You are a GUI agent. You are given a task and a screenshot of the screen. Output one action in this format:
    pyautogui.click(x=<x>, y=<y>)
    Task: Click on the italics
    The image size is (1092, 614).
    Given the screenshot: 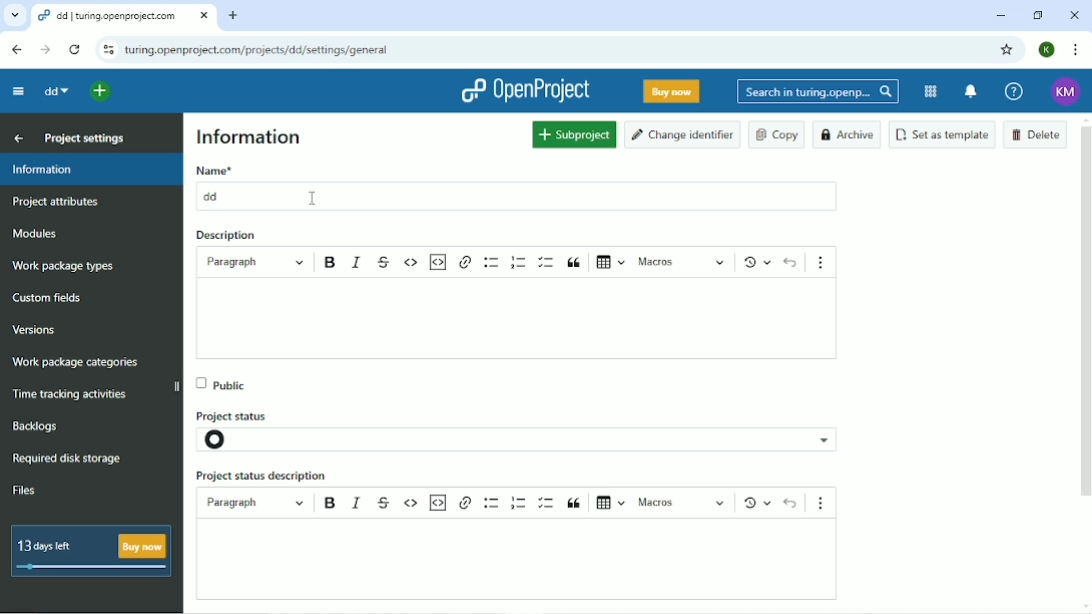 What is the action you would take?
    pyautogui.click(x=359, y=501)
    